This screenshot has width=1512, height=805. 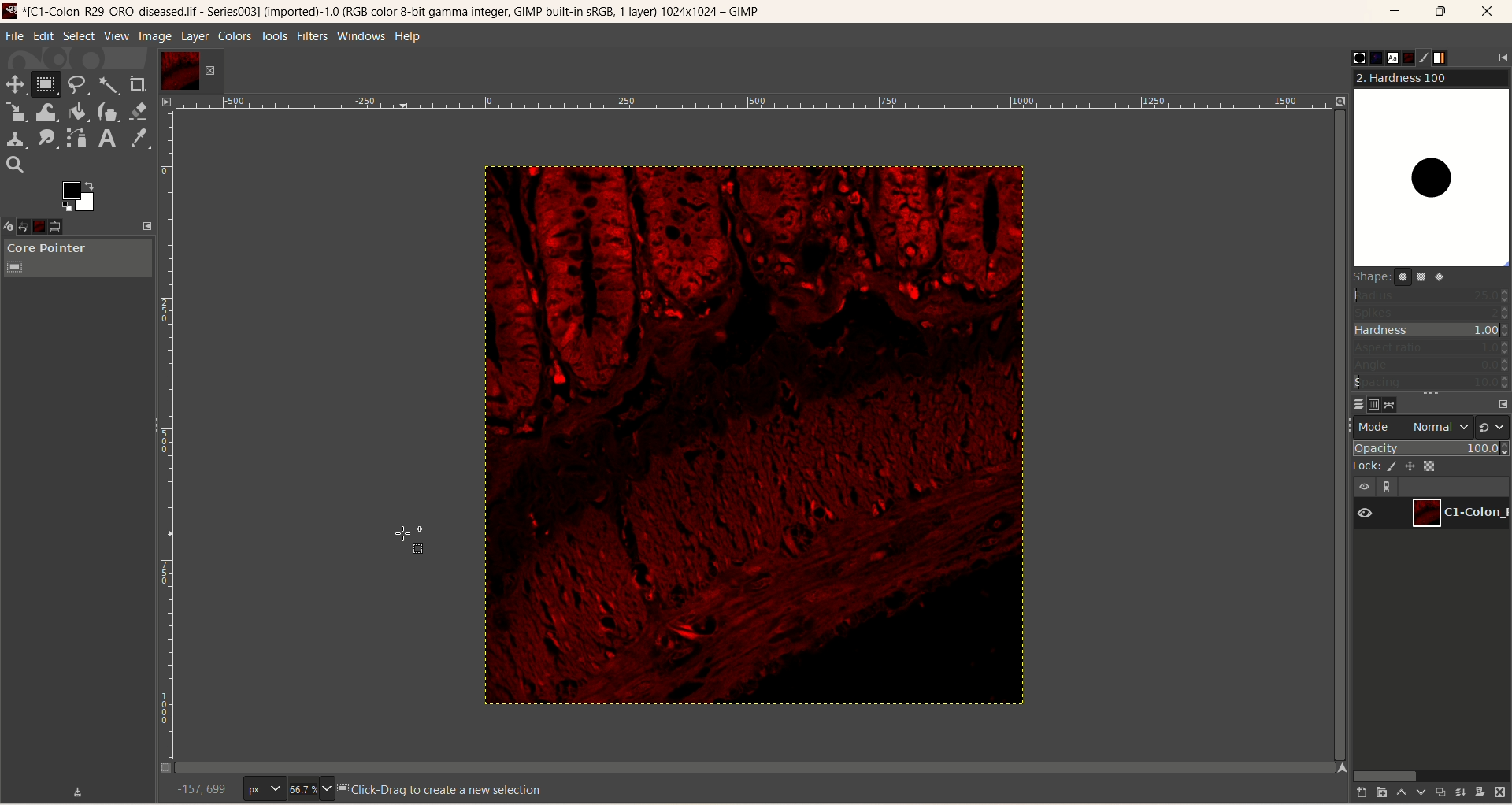 I want to click on configure this tab, so click(x=1502, y=404).